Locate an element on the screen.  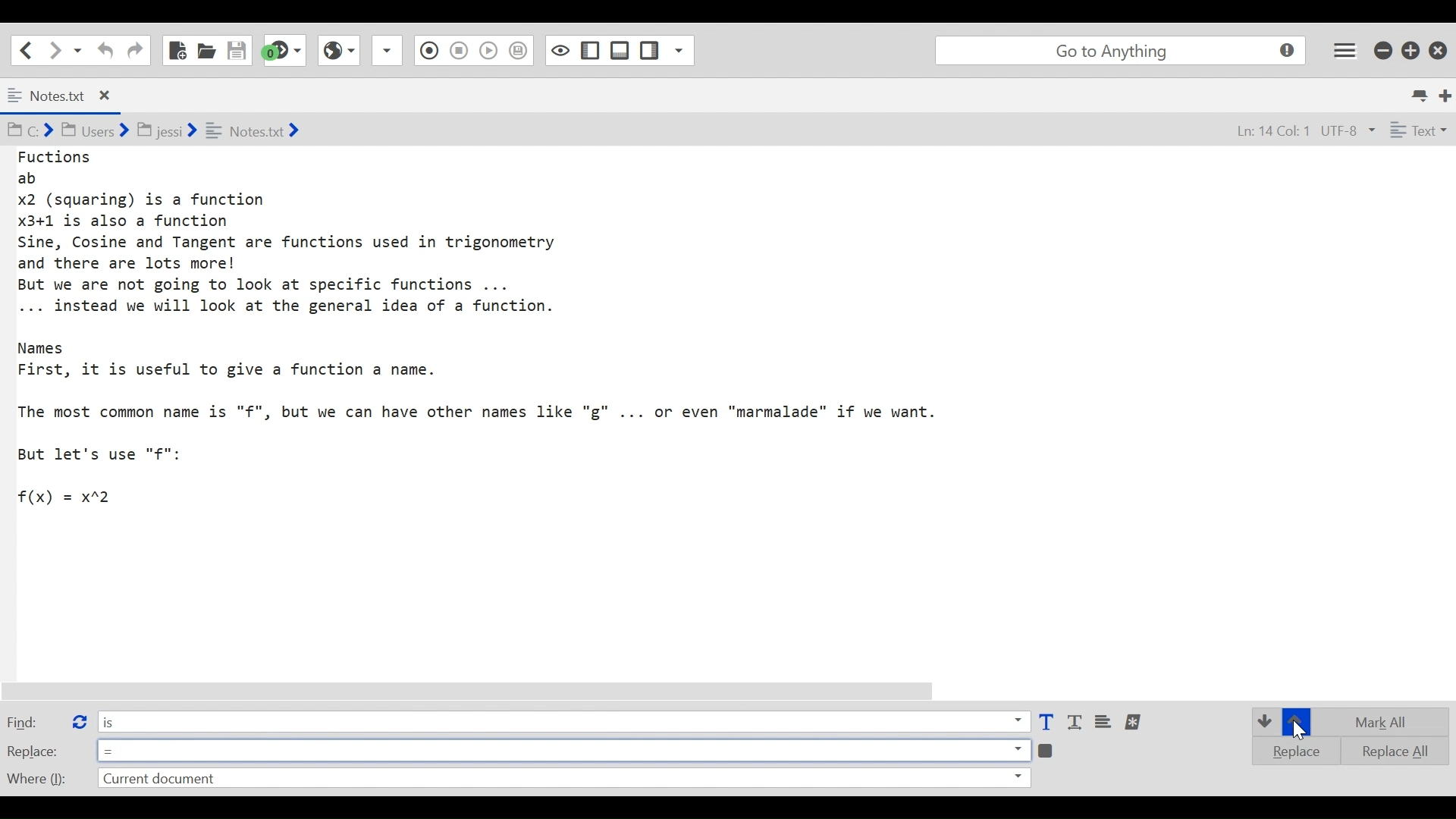
Where is located at coordinates (35, 777).